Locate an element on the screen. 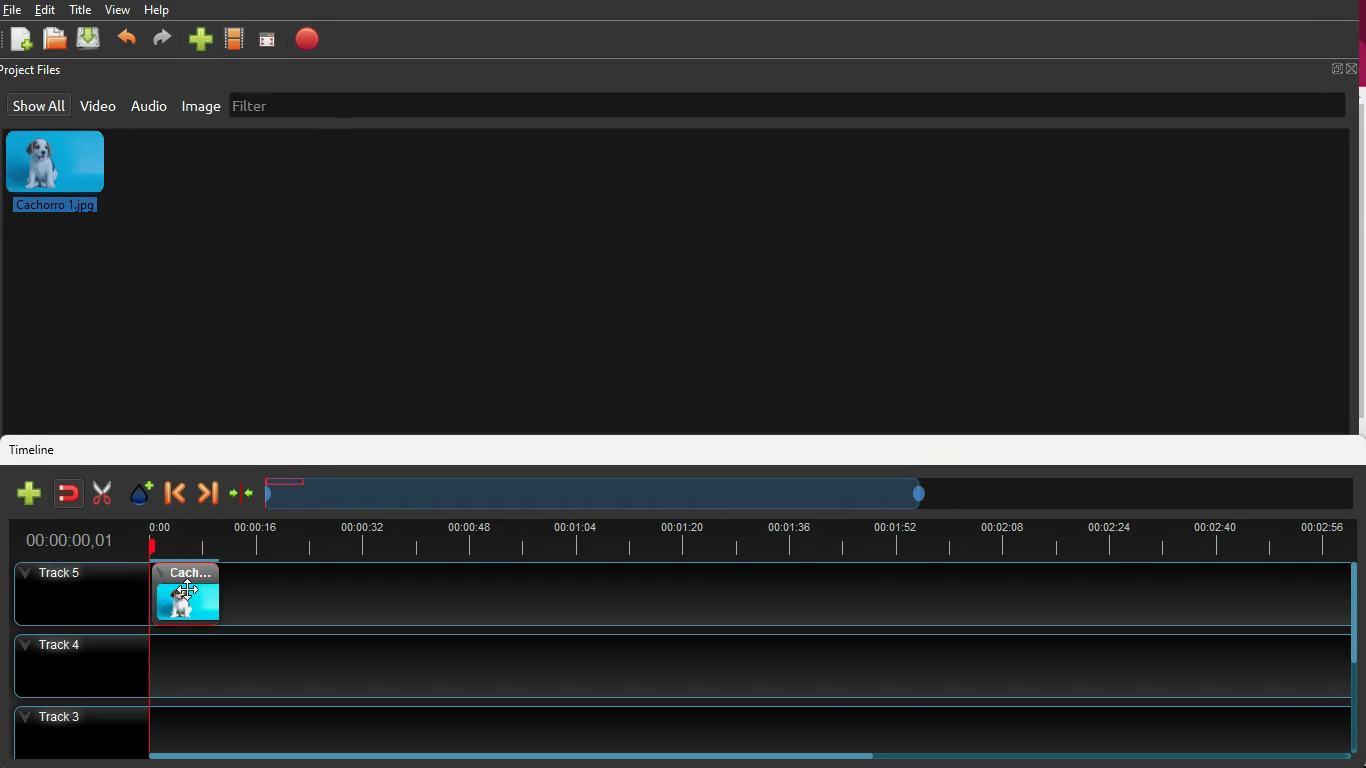 This screenshot has height=768, width=1366. time is located at coordinates (740, 539).